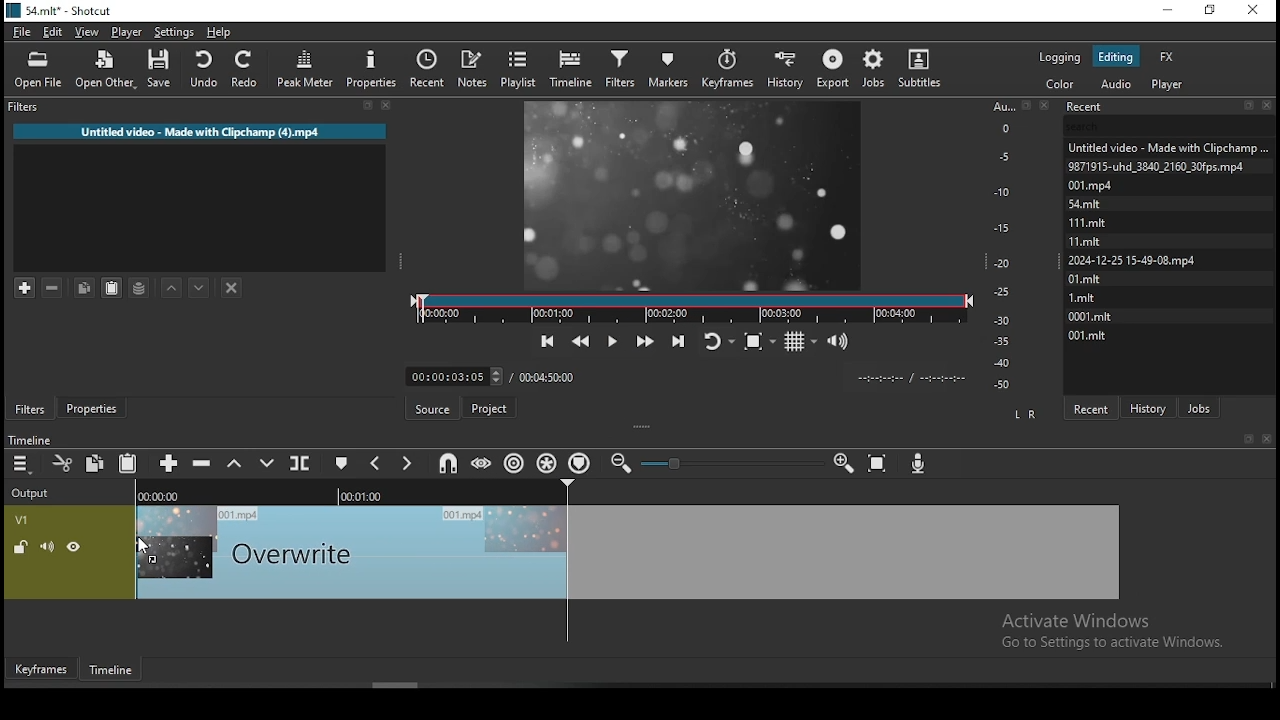 This screenshot has width=1280, height=720. What do you see at coordinates (167, 284) in the screenshot?
I see `move filter up` at bounding box center [167, 284].